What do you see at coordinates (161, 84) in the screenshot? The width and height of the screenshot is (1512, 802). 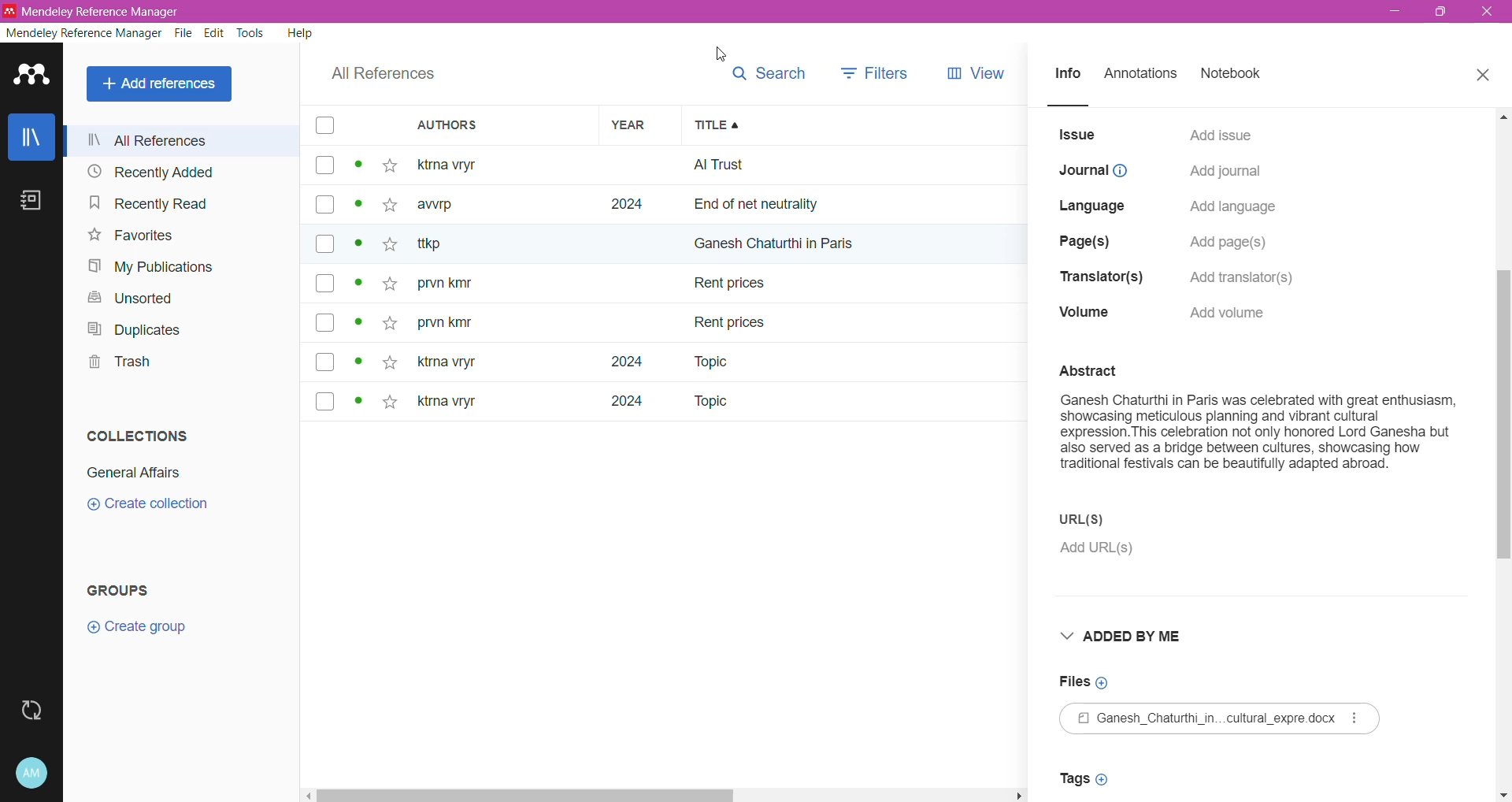 I see `Add References` at bounding box center [161, 84].